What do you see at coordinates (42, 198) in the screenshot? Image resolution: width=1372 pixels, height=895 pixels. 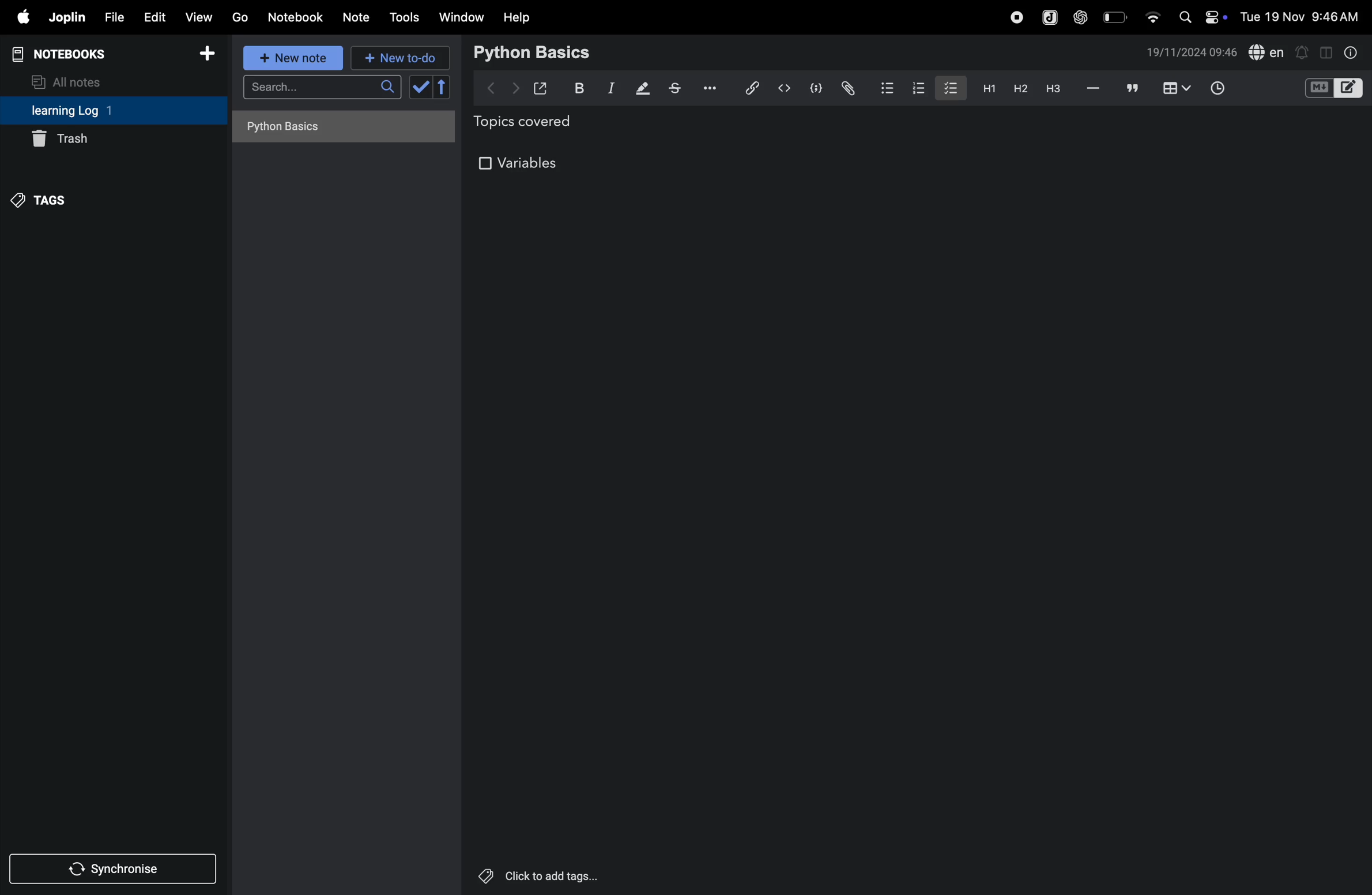 I see `tags` at bounding box center [42, 198].